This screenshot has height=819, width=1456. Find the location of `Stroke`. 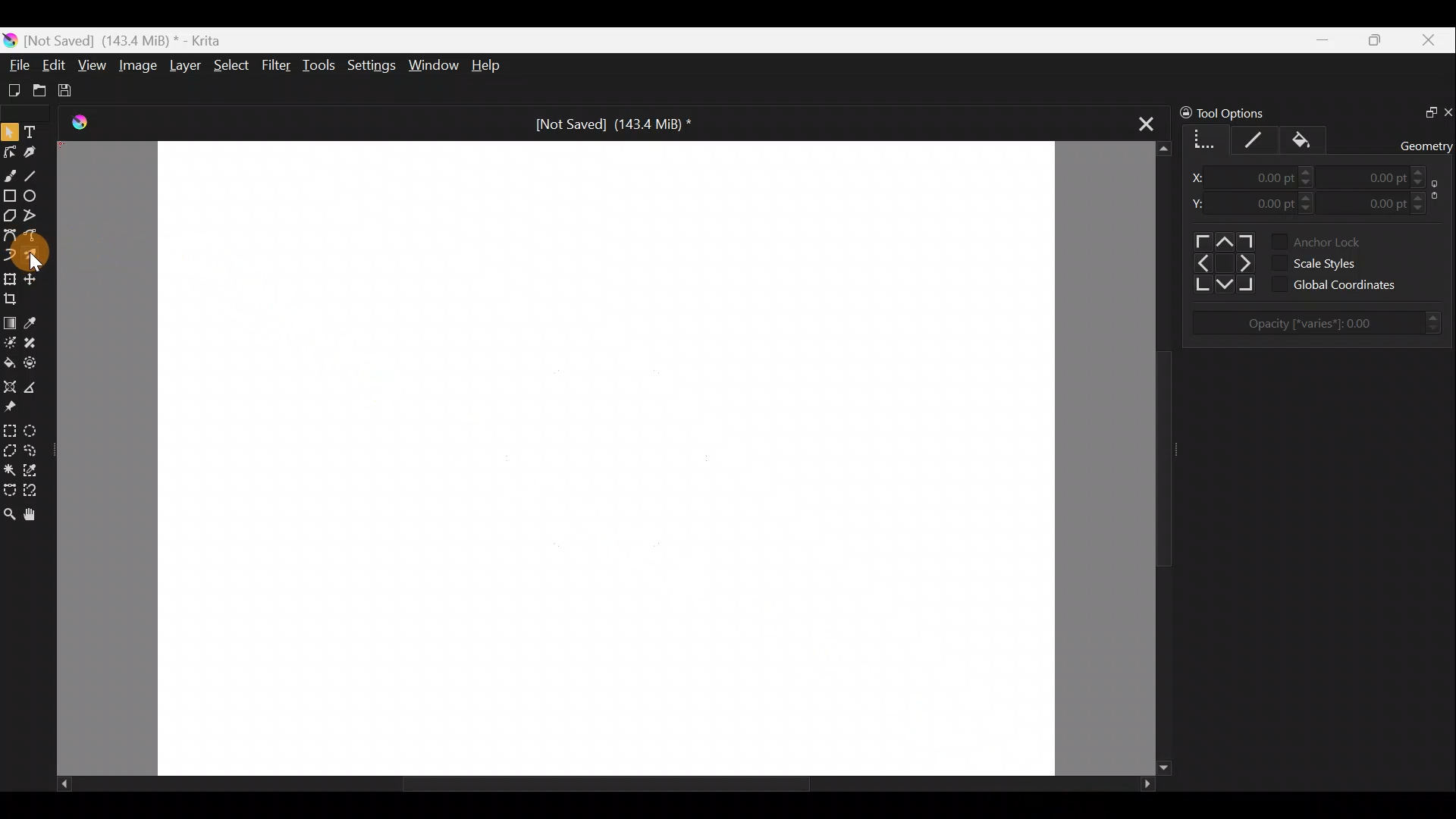

Stroke is located at coordinates (1260, 137).